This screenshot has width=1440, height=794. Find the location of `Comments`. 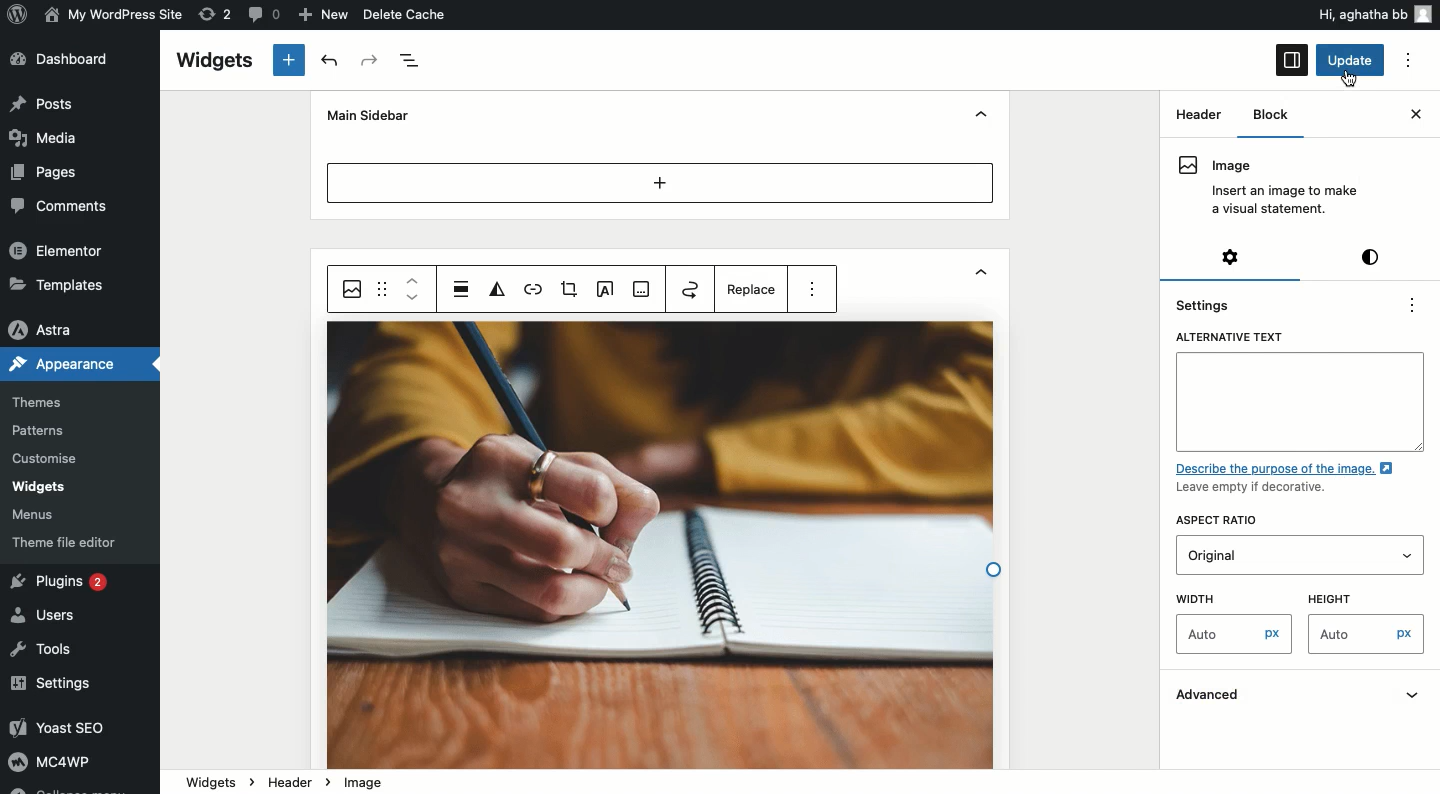

Comments is located at coordinates (54, 205).